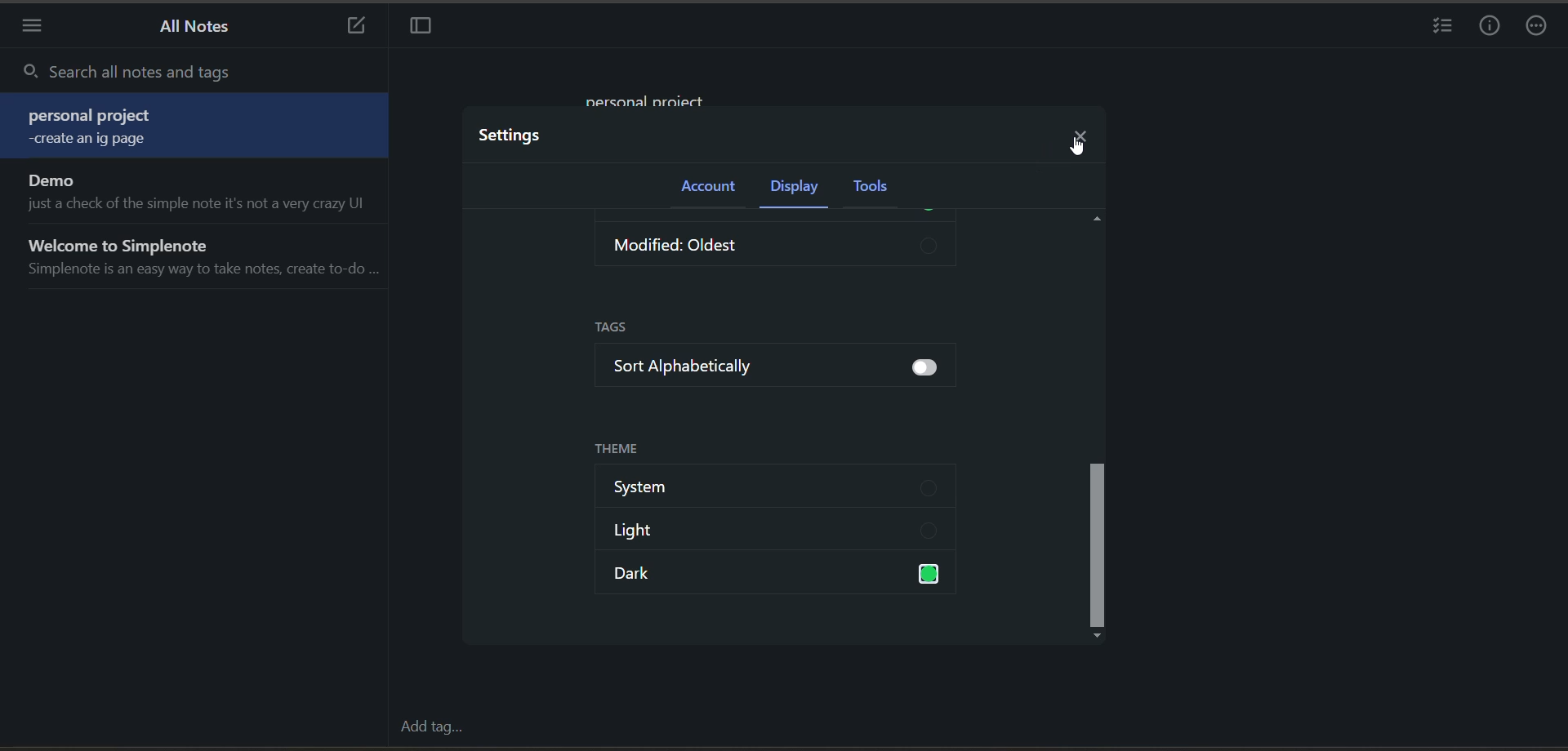 The image size is (1568, 751). What do you see at coordinates (779, 248) in the screenshot?
I see `modified: oldest` at bounding box center [779, 248].